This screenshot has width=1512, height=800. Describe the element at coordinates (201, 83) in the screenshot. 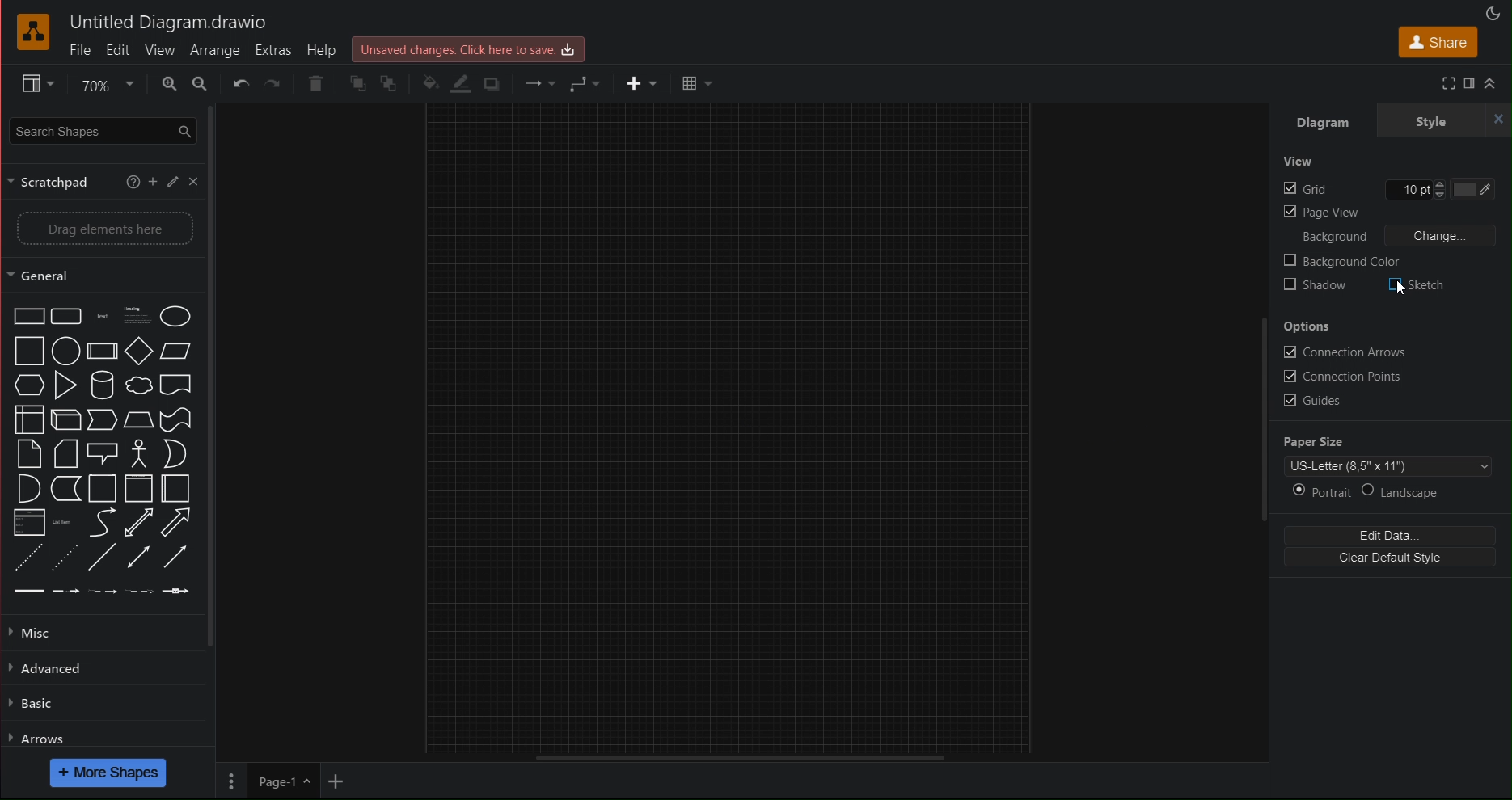

I see `Zoom Out` at that location.